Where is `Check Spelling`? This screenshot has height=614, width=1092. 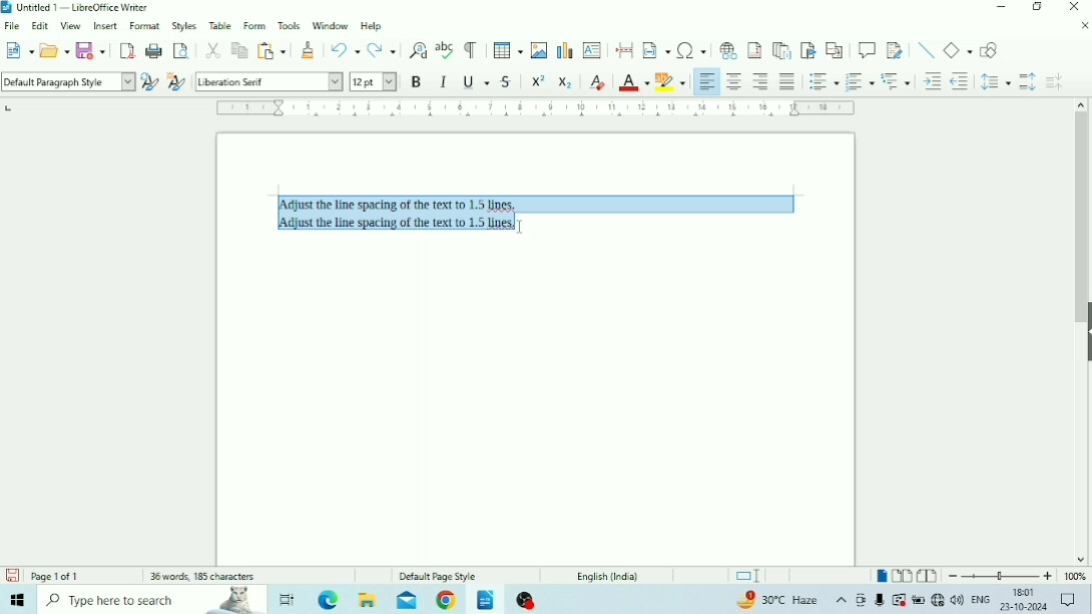
Check Spelling is located at coordinates (445, 50).